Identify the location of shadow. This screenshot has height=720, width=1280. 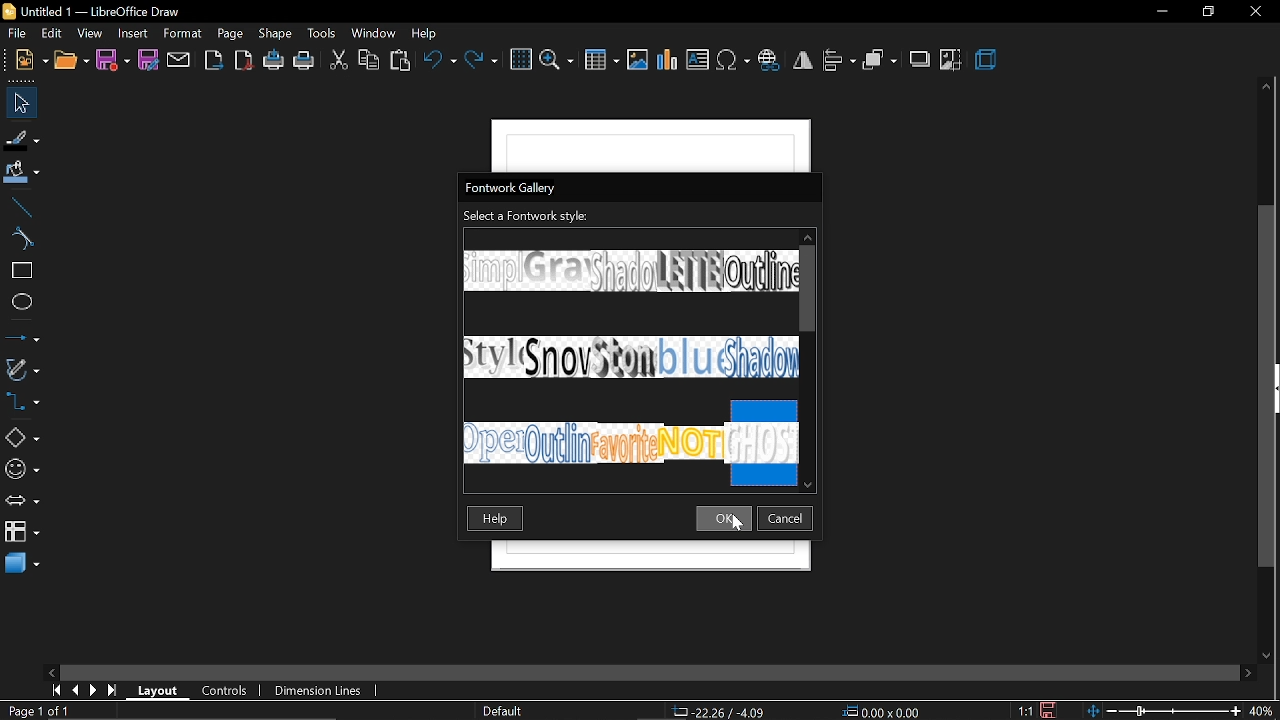
(919, 61).